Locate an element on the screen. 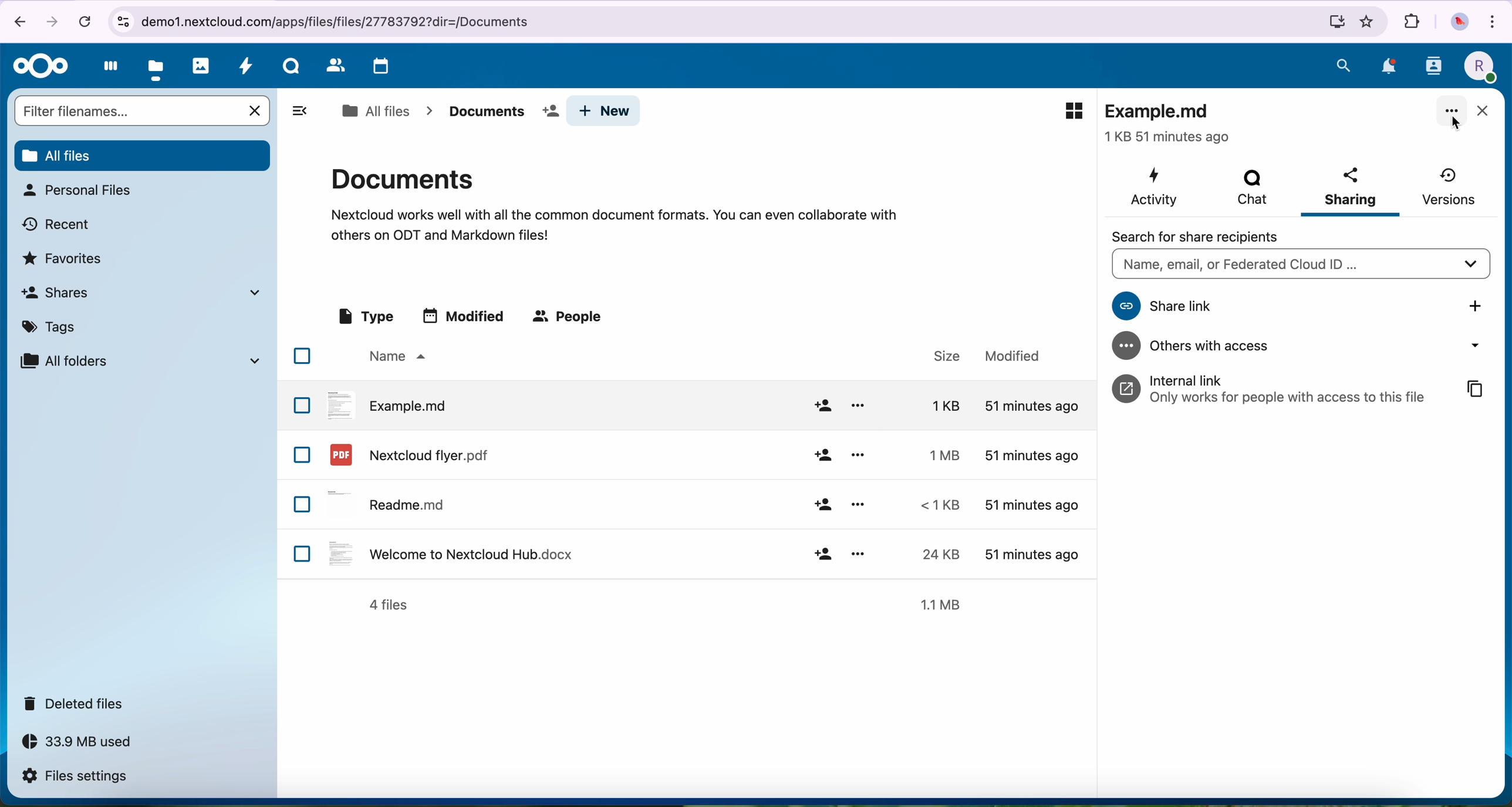  files settings is located at coordinates (77, 777).